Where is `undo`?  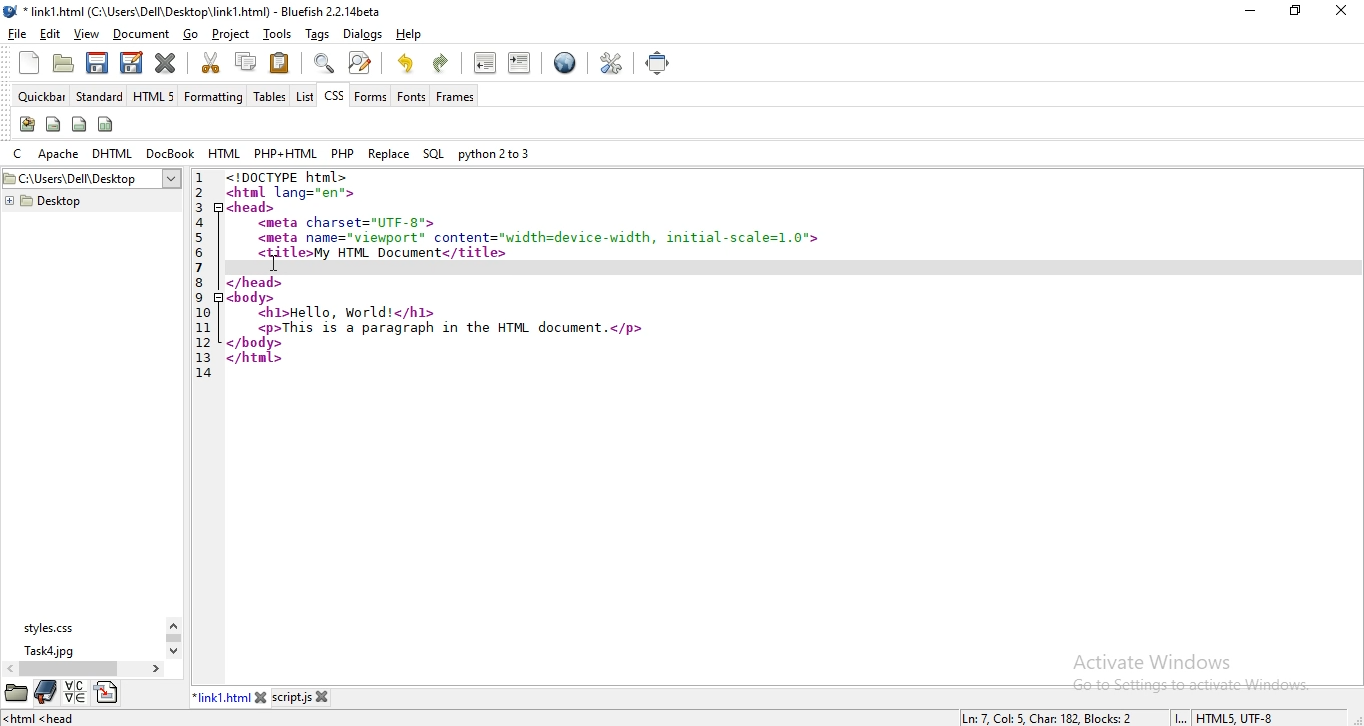
undo is located at coordinates (407, 63).